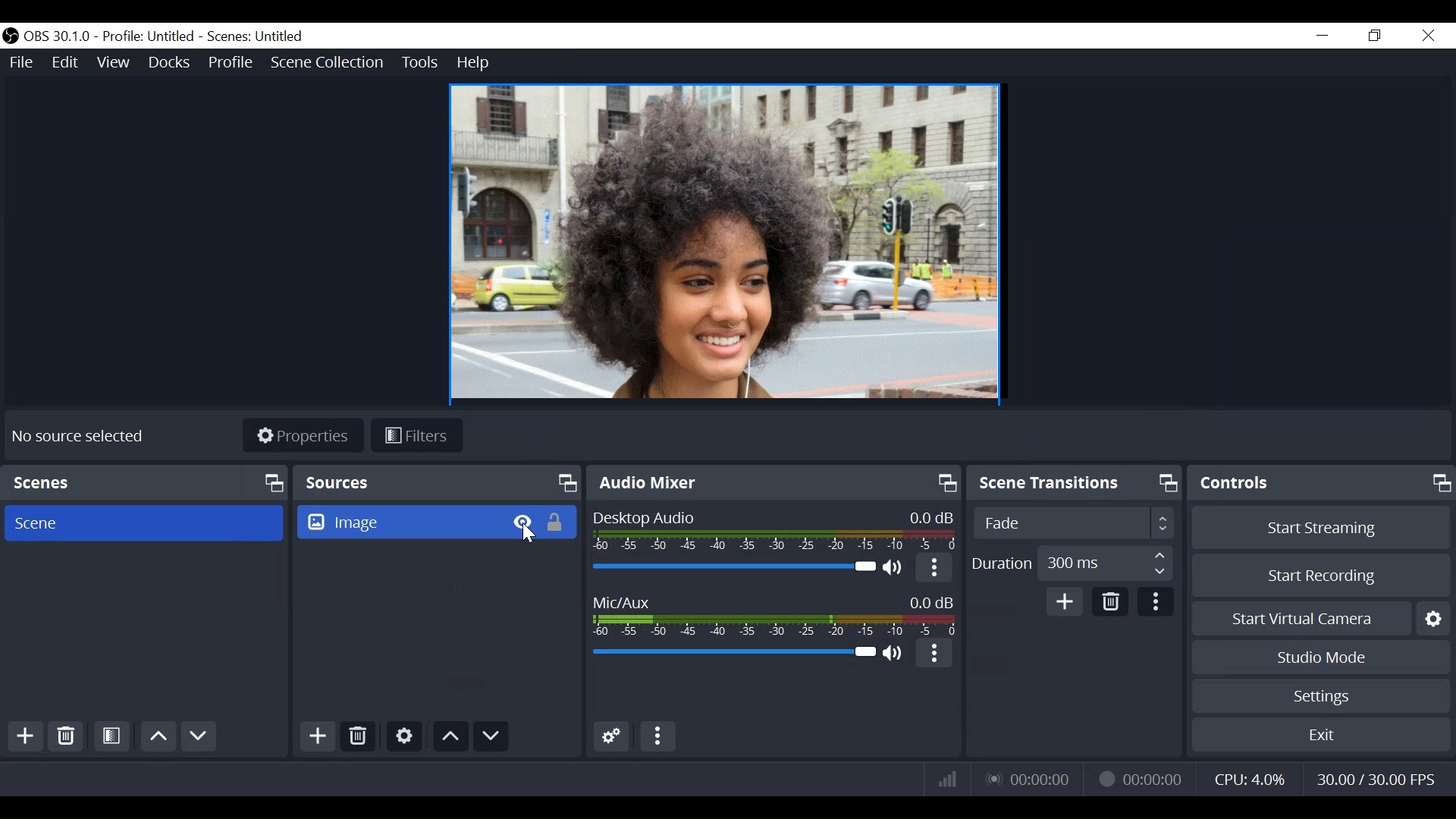  Describe the element at coordinates (57, 36) in the screenshot. I see `Version` at that location.